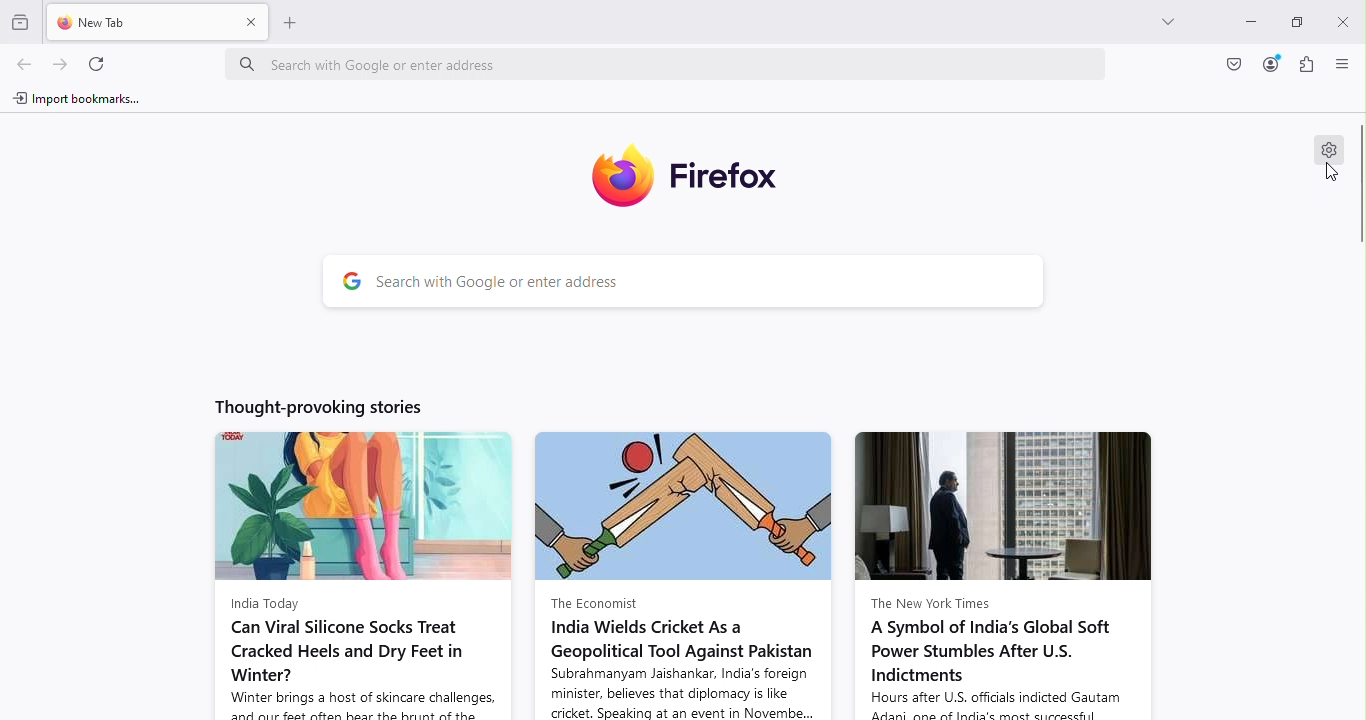  What do you see at coordinates (1289, 22) in the screenshot?
I see `Maximize` at bounding box center [1289, 22].